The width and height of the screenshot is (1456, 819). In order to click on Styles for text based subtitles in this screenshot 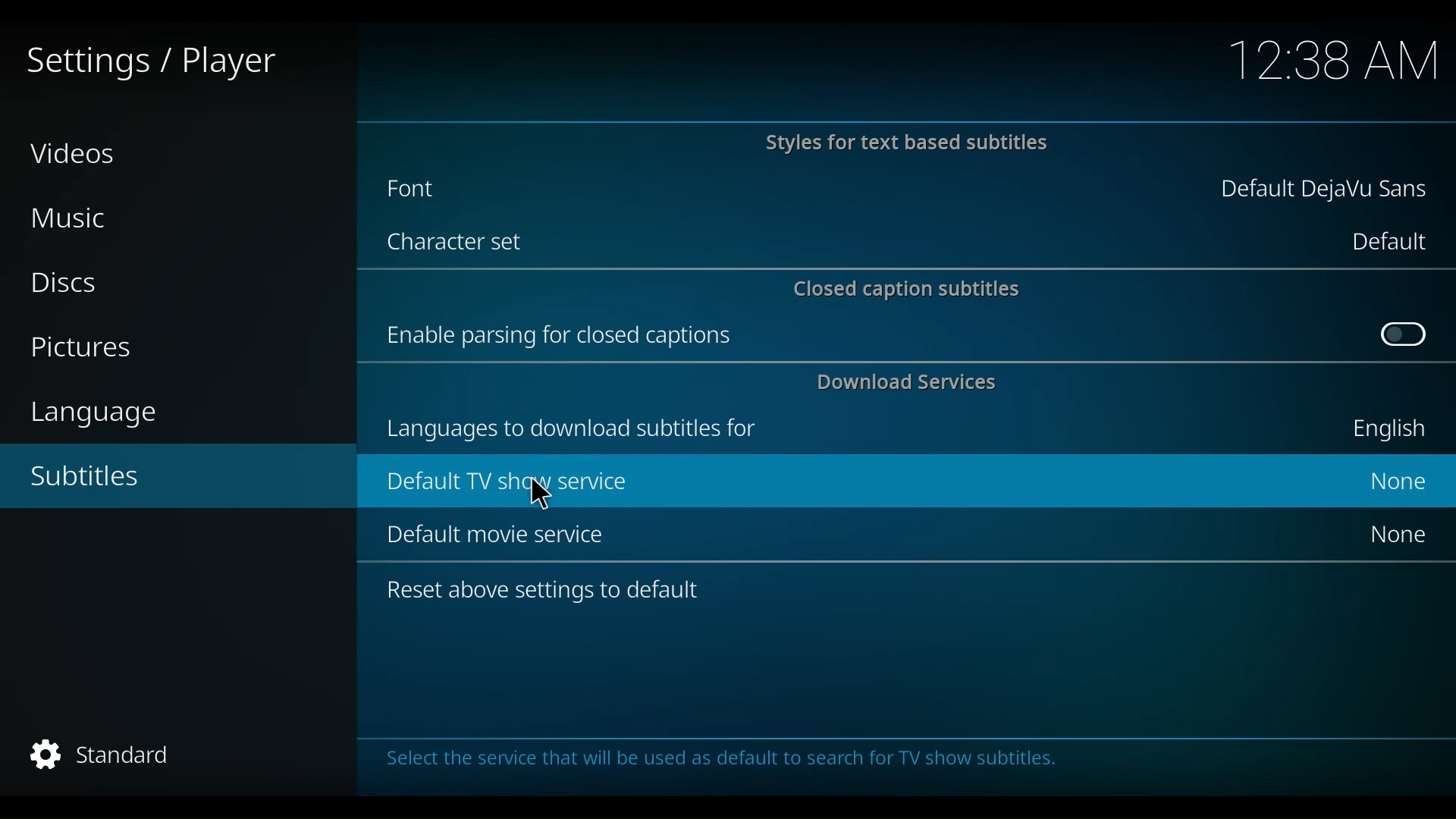, I will do `click(905, 144)`.